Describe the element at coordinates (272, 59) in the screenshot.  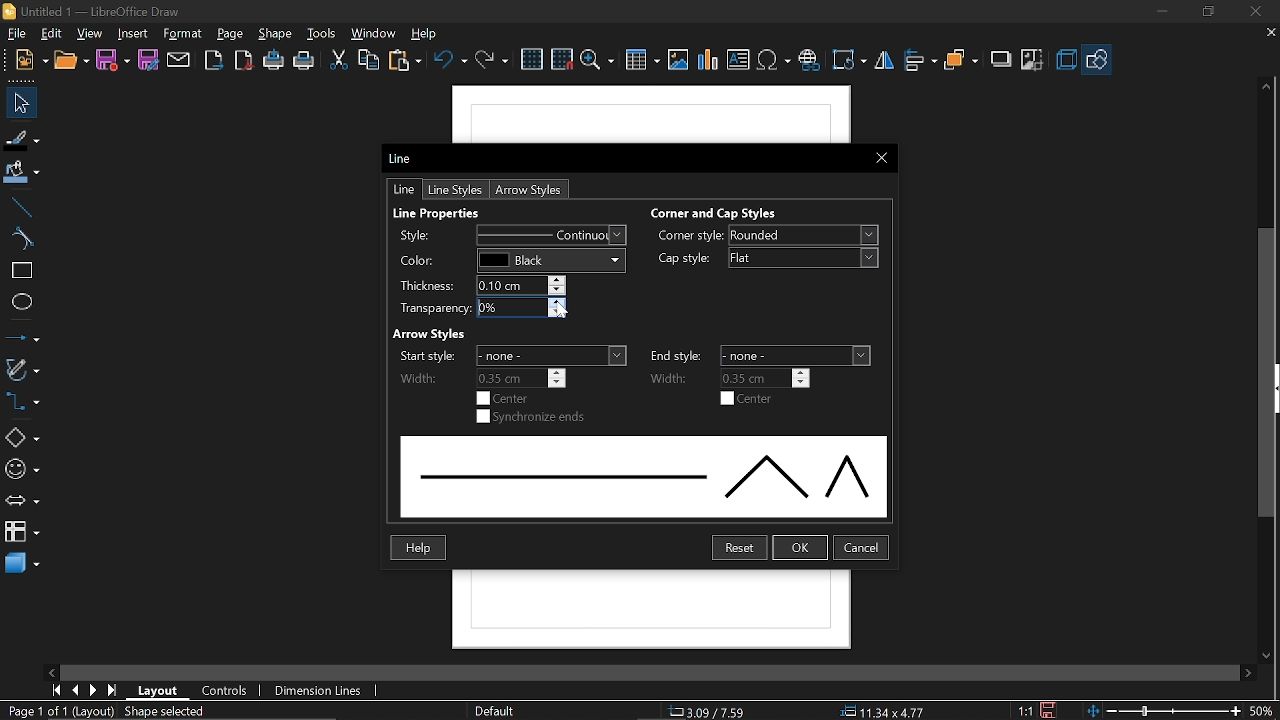
I see `print directly` at that location.